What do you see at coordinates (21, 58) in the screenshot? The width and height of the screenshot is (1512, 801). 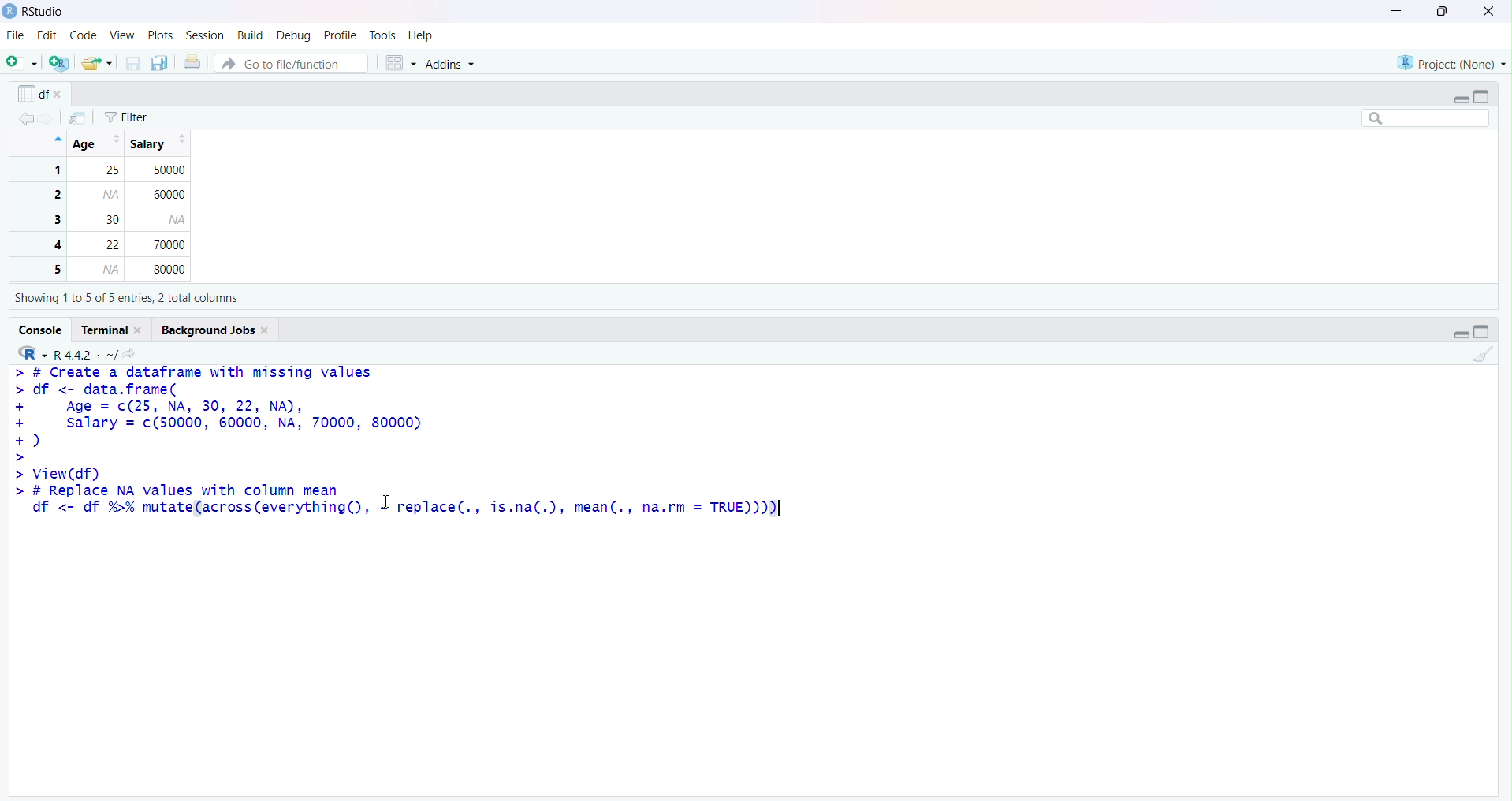 I see `New File` at bounding box center [21, 58].